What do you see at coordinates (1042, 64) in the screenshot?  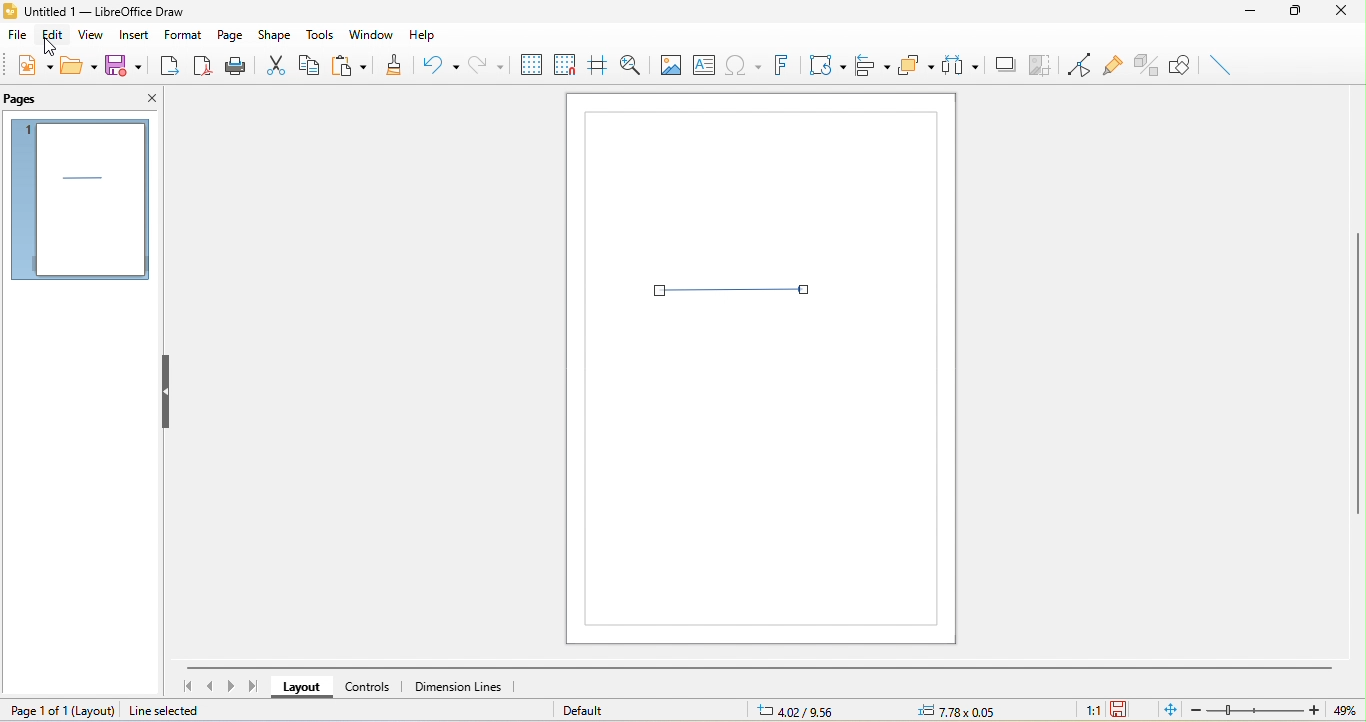 I see `crop image` at bounding box center [1042, 64].